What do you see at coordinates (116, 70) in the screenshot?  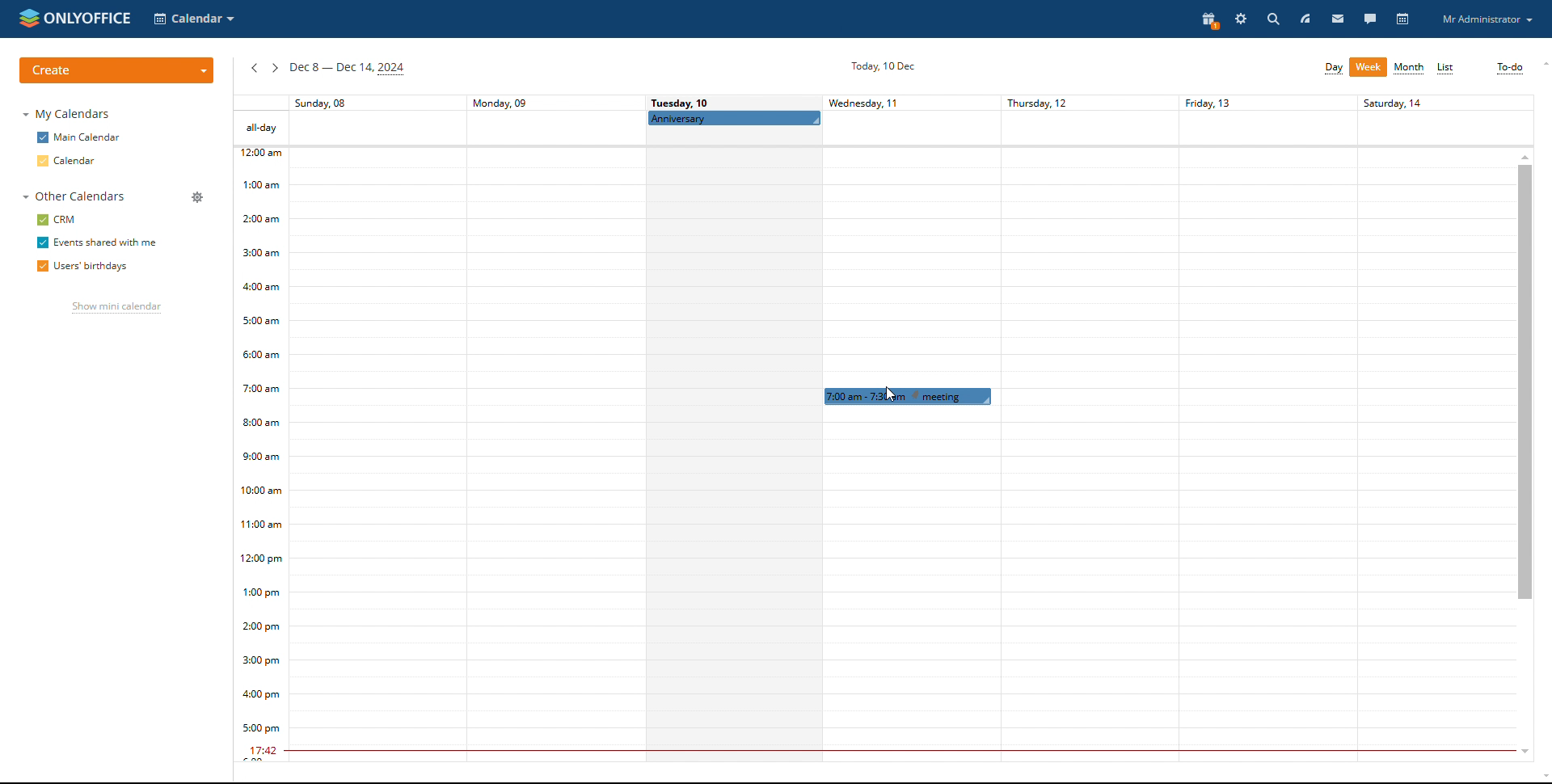 I see `create` at bounding box center [116, 70].